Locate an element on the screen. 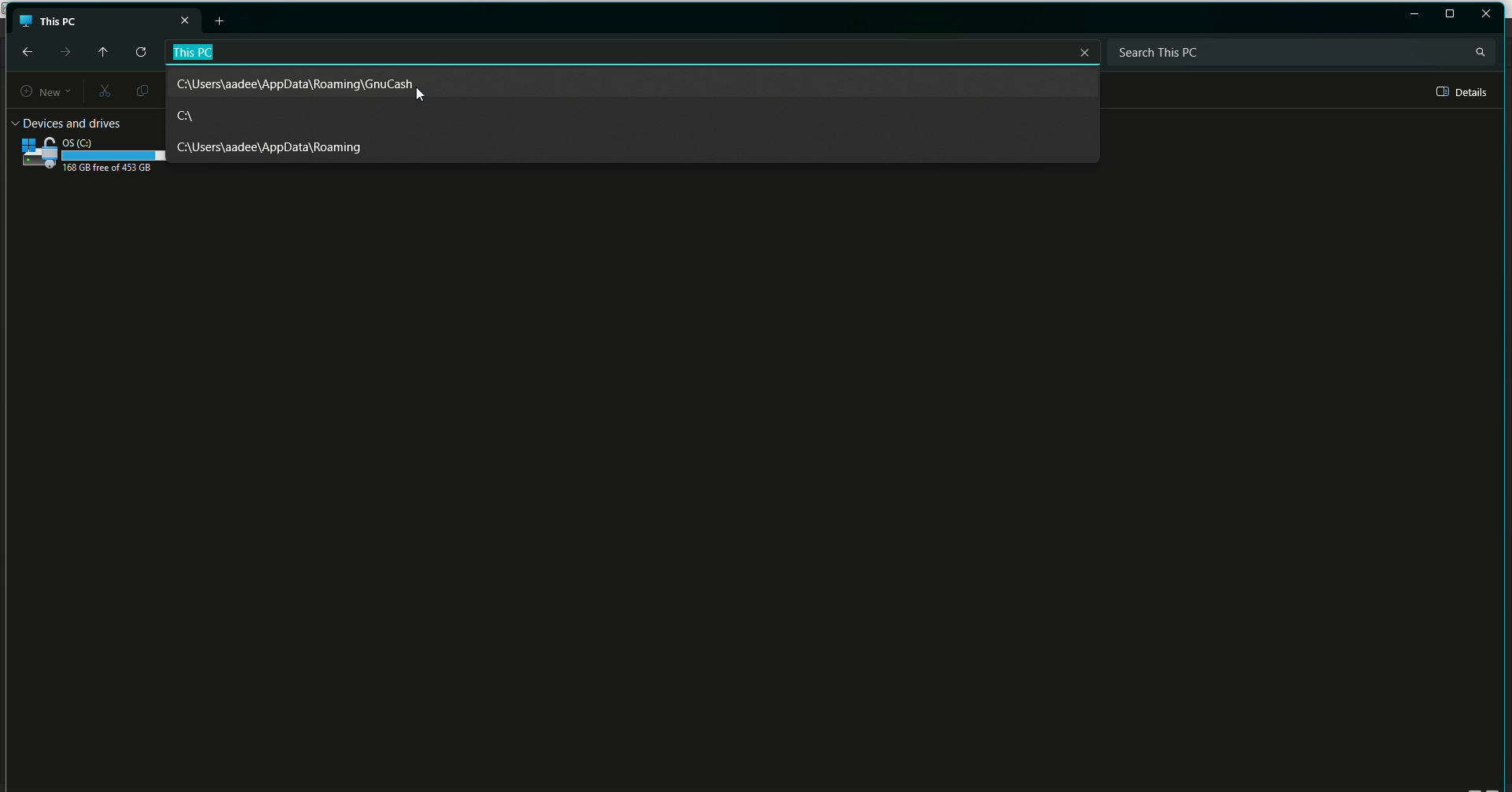  Forward is located at coordinates (64, 52).